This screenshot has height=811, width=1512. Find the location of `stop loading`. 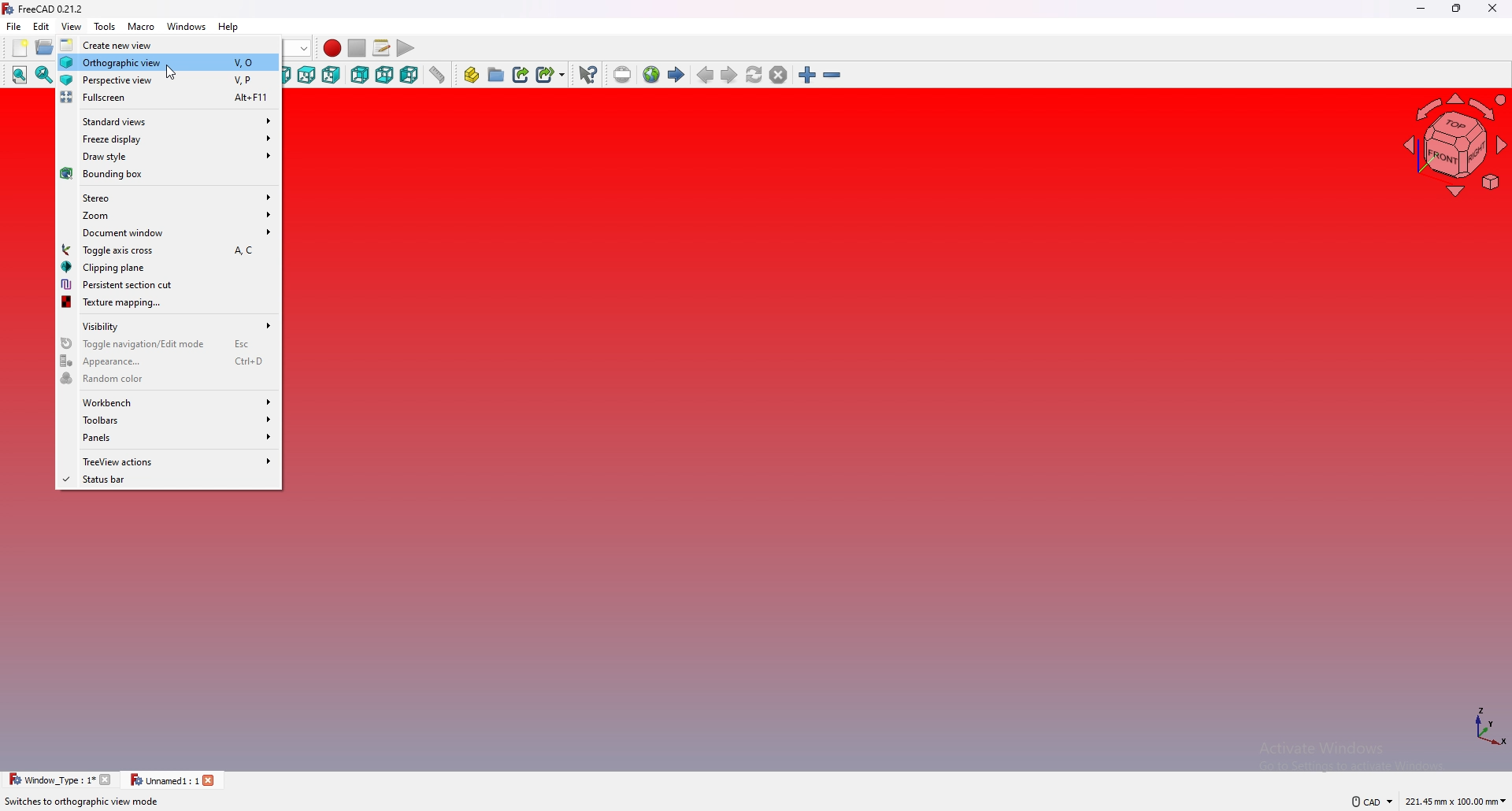

stop loading is located at coordinates (777, 74).